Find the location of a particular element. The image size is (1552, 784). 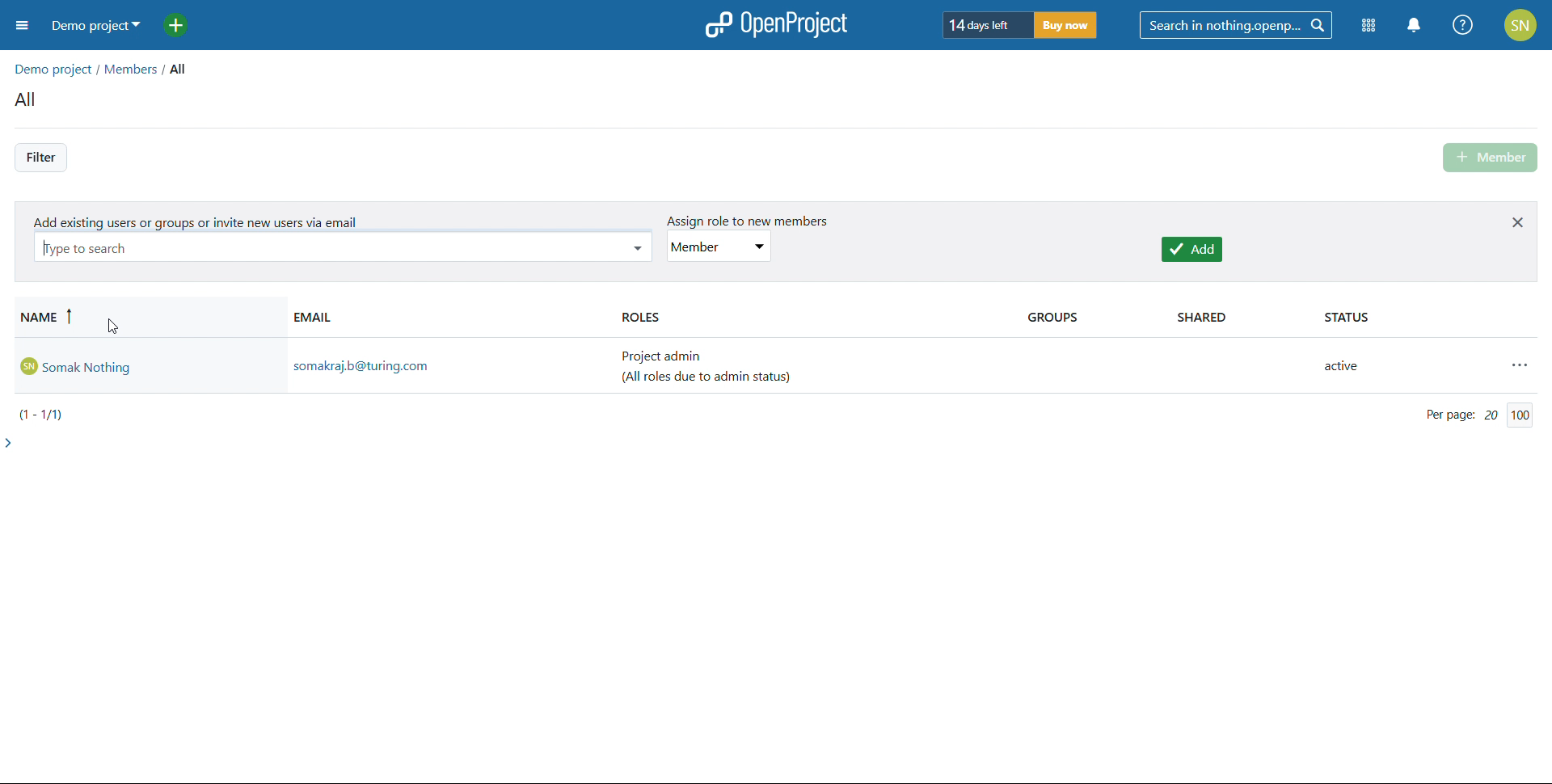

add existing users or groups or invite new users via email is located at coordinates (198, 219).